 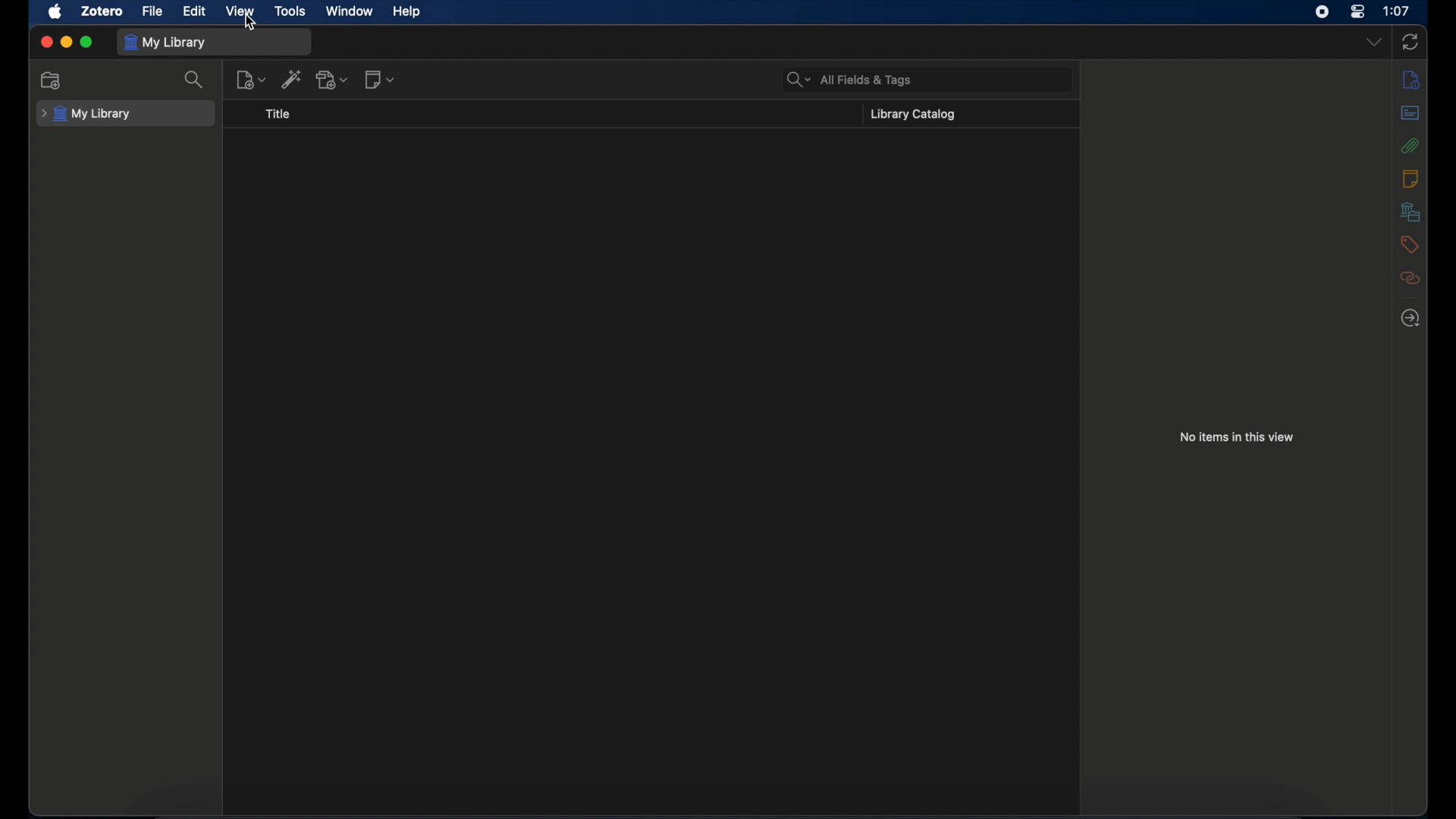 What do you see at coordinates (379, 80) in the screenshot?
I see `new notes` at bounding box center [379, 80].